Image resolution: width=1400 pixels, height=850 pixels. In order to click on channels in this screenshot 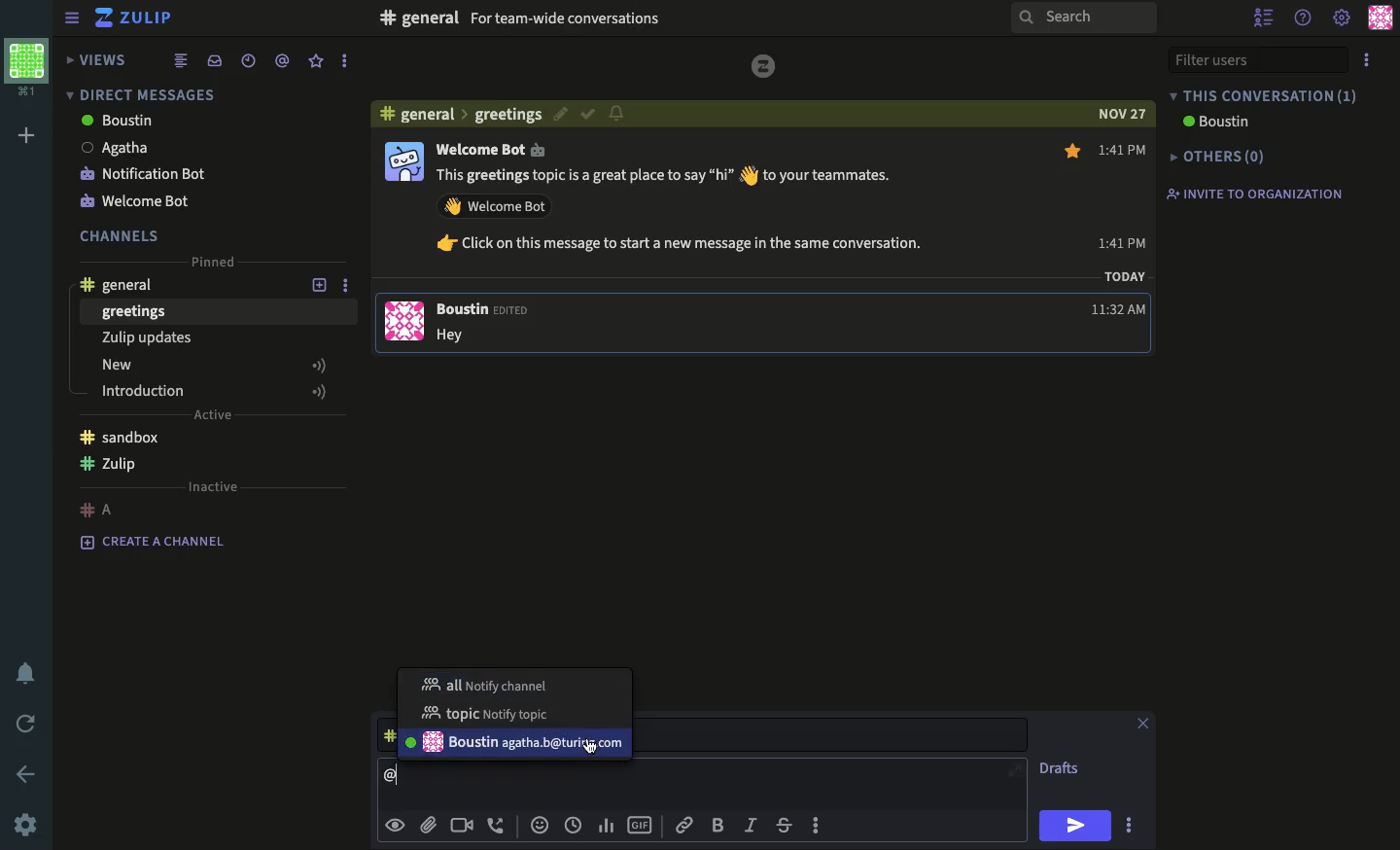, I will do `click(122, 234)`.